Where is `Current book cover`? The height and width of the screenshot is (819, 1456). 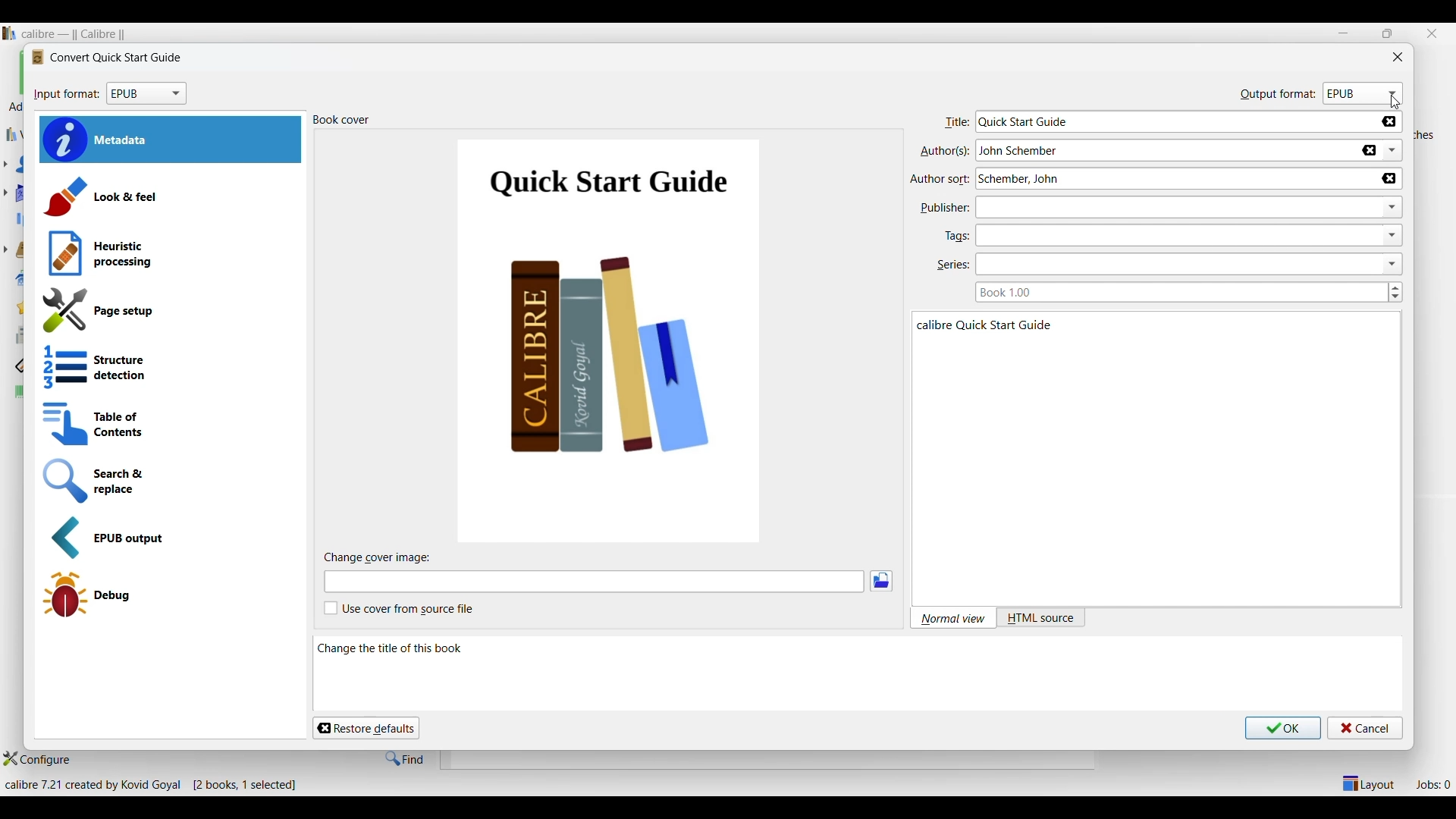 Current book cover is located at coordinates (610, 341).